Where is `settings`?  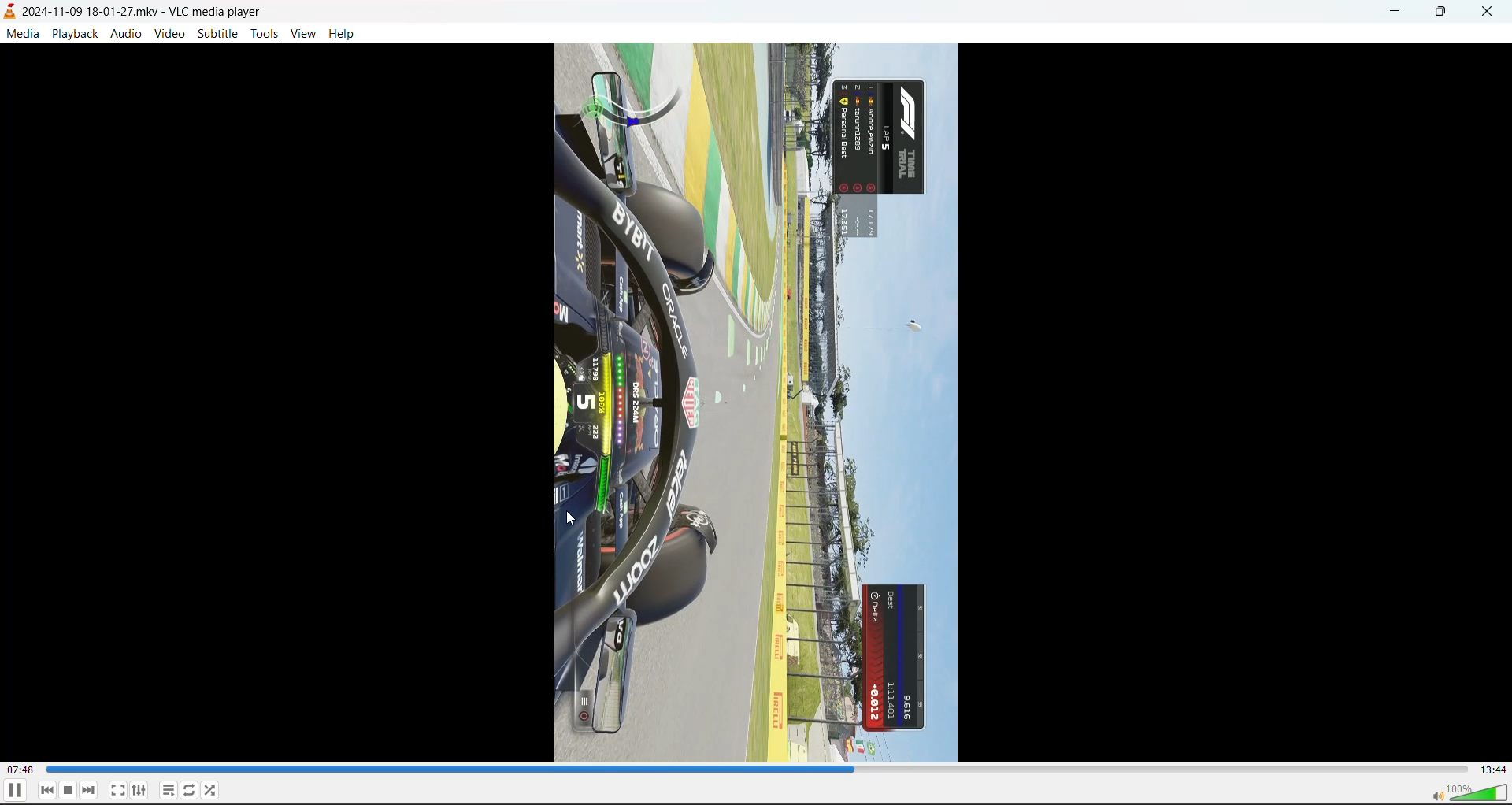
settings is located at coordinates (139, 788).